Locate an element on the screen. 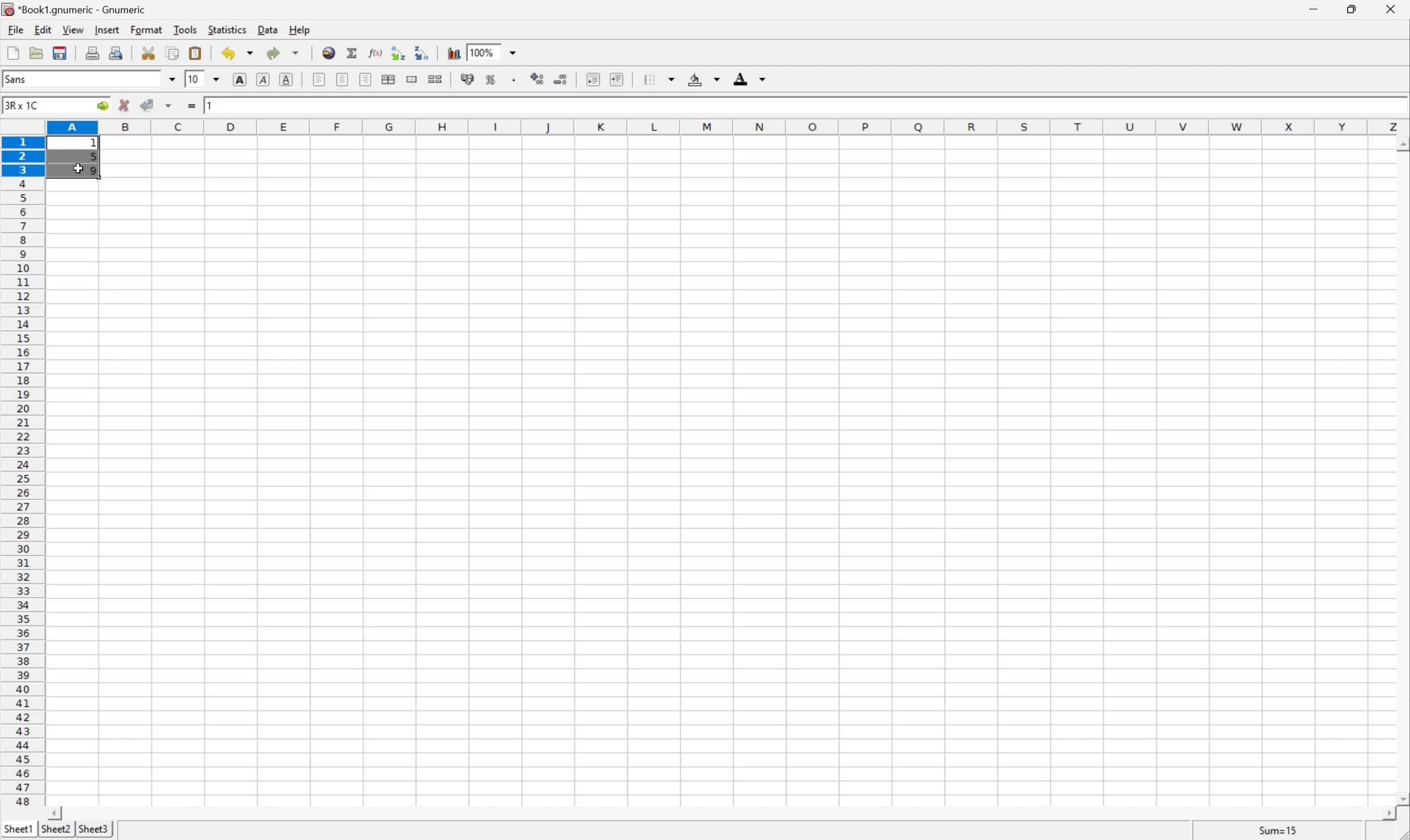 Image resolution: width=1410 pixels, height=840 pixels. close is located at coordinates (1397, 9).